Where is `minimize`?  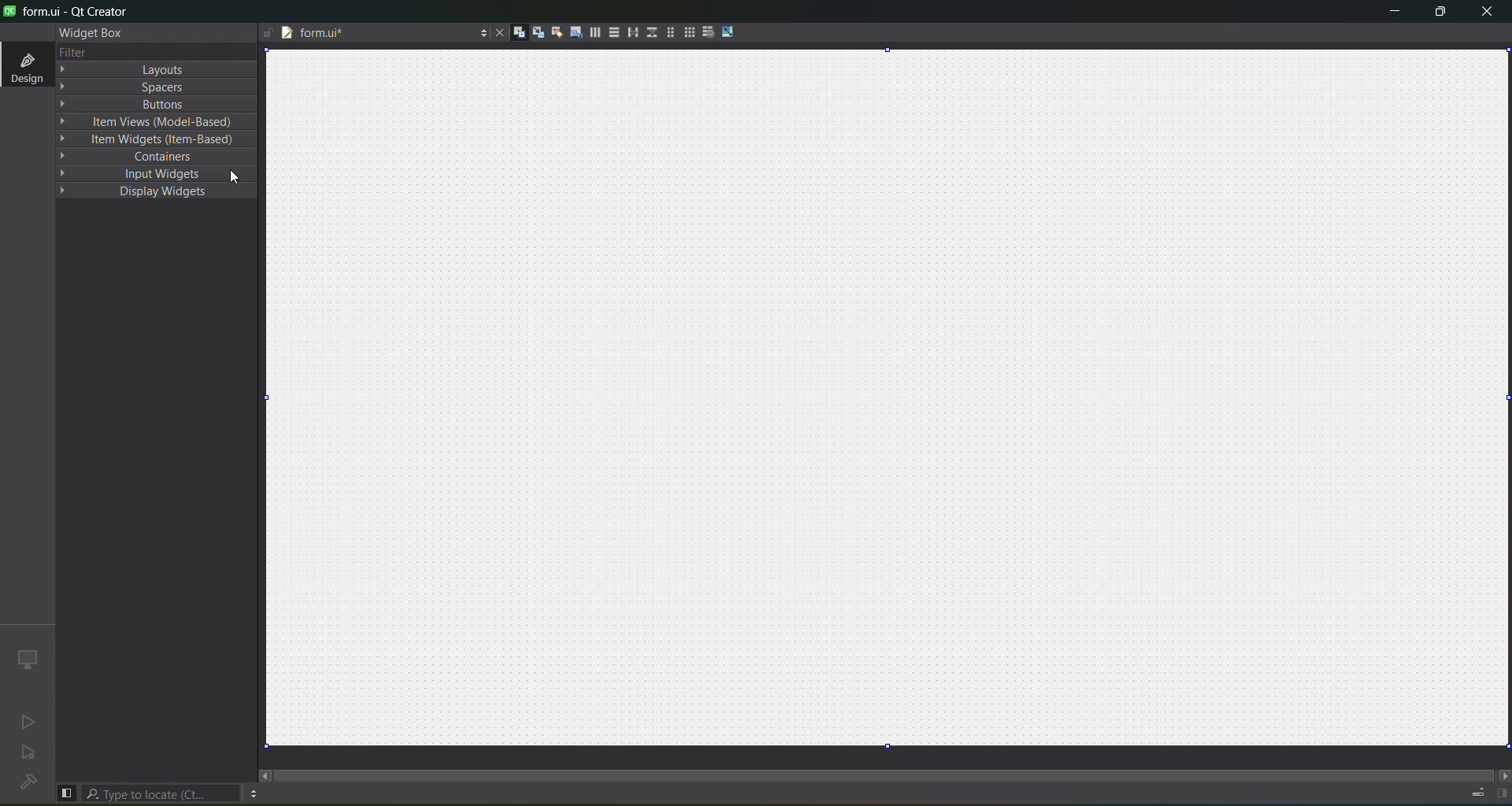
minimize is located at coordinates (1388, 14).